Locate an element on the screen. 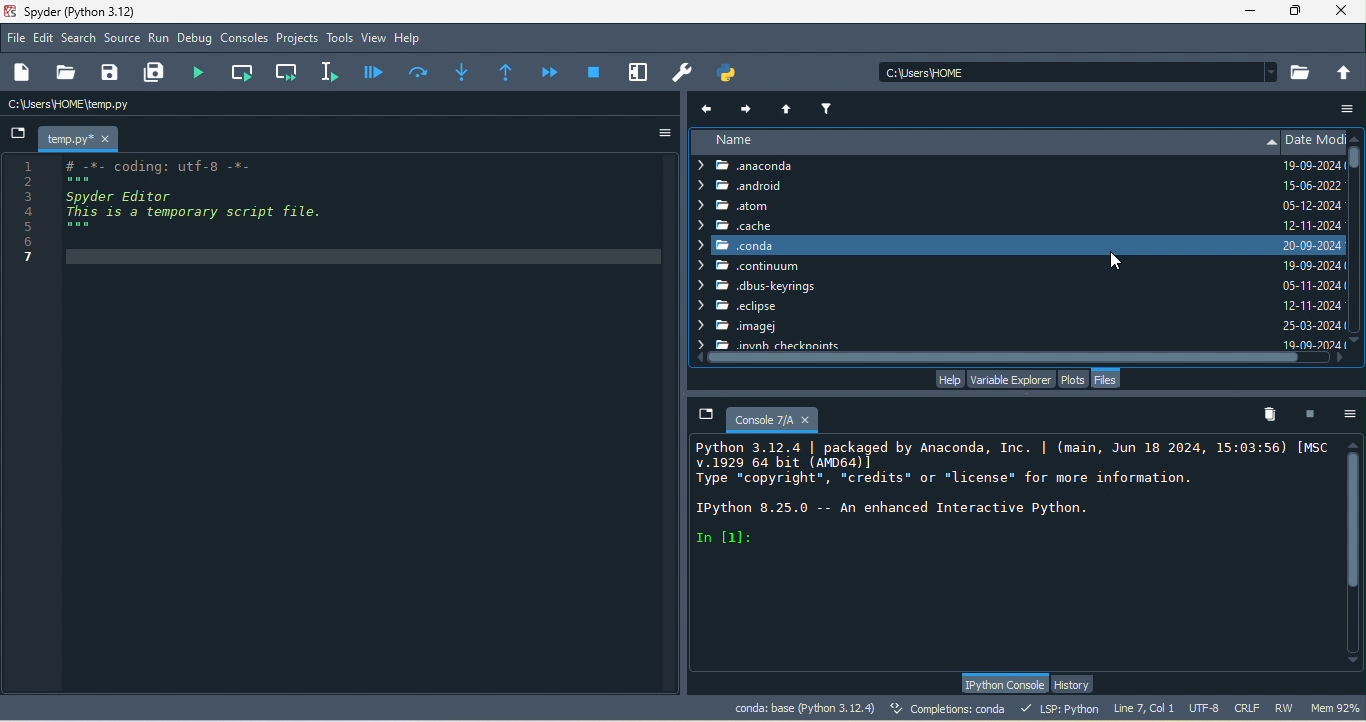 This screenshot has height=722, width=1366. method is located at coordinates (462, 70).